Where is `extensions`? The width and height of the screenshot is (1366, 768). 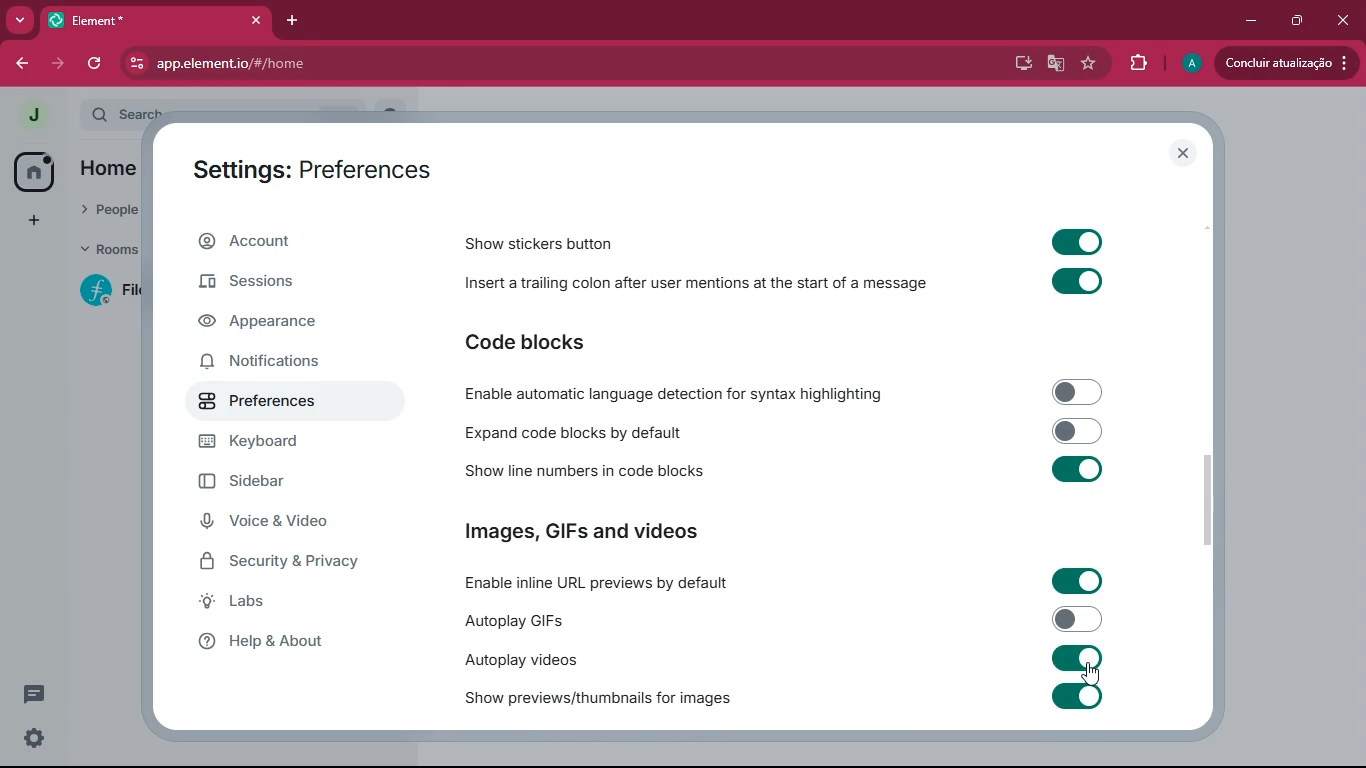
extensions is located at coordinates (1137, 61).